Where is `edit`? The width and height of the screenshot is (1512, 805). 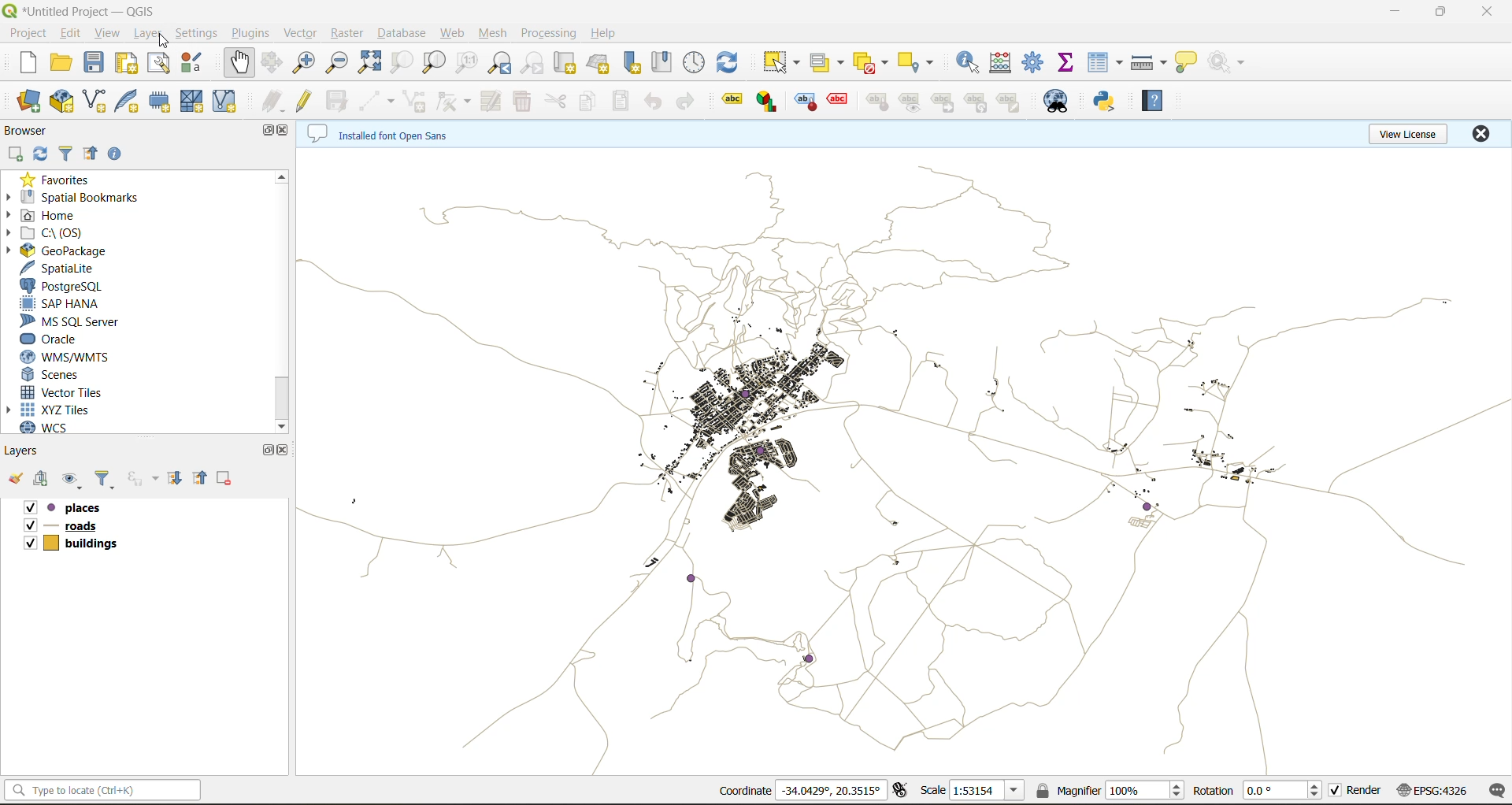
edit is located at coordinates (72, 34).